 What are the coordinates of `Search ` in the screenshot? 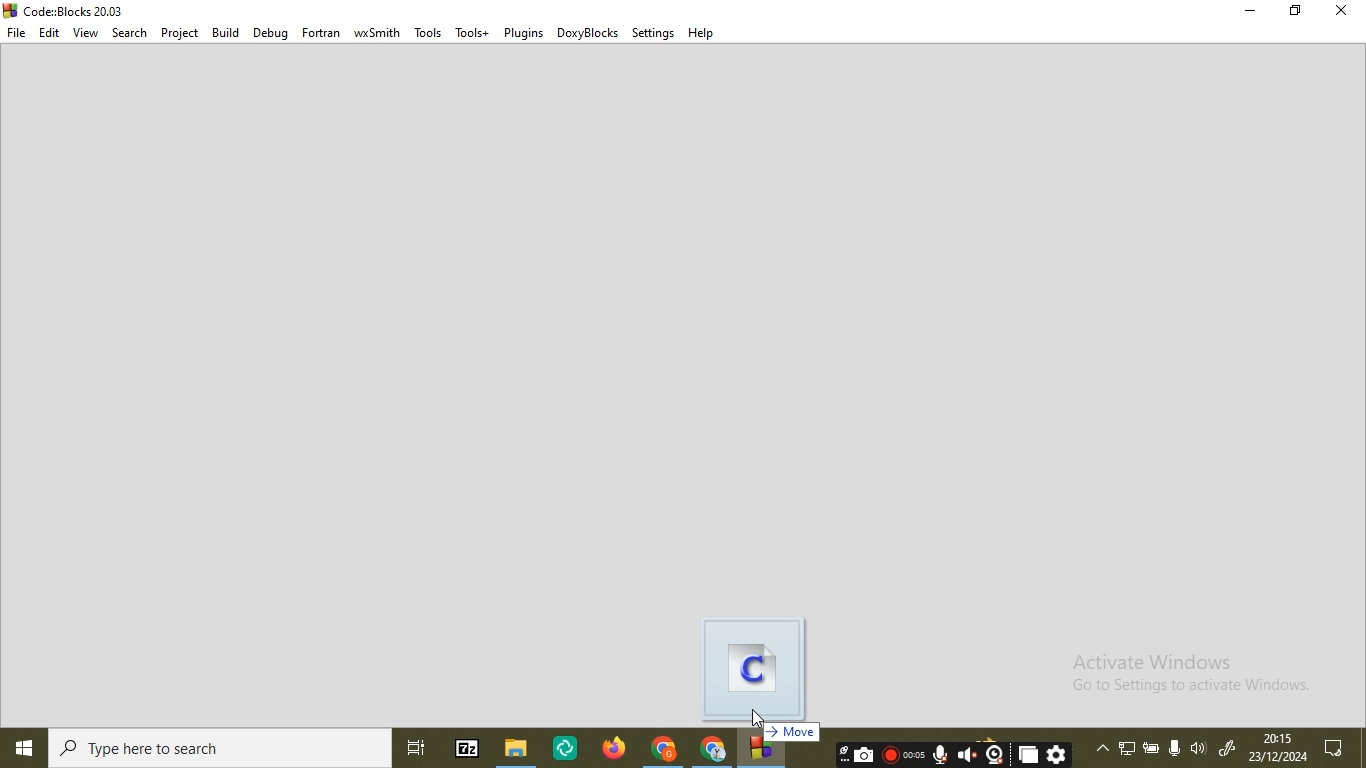 It's located at (131, 33).